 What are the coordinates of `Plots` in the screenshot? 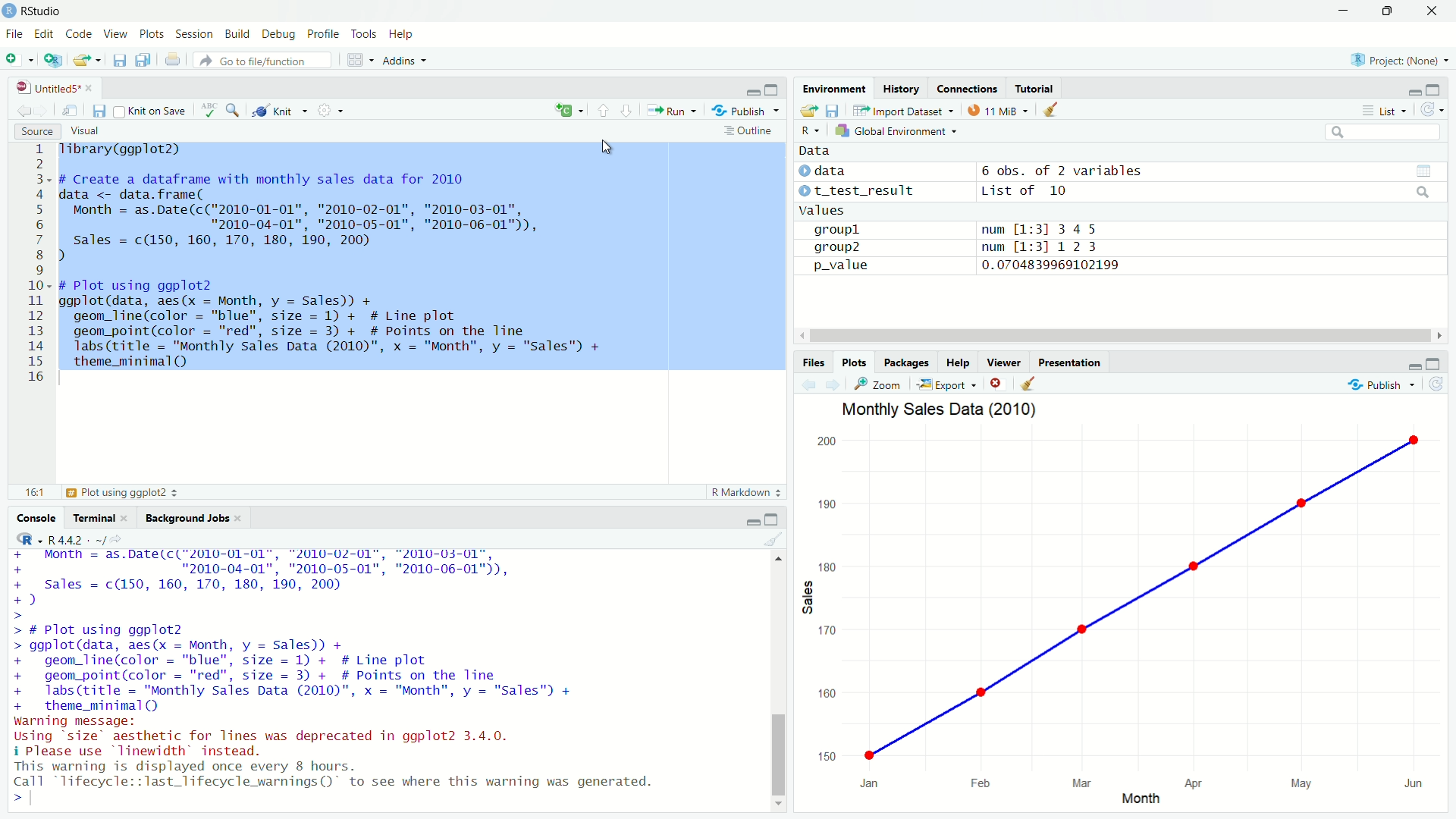 It's located at (152, 33).